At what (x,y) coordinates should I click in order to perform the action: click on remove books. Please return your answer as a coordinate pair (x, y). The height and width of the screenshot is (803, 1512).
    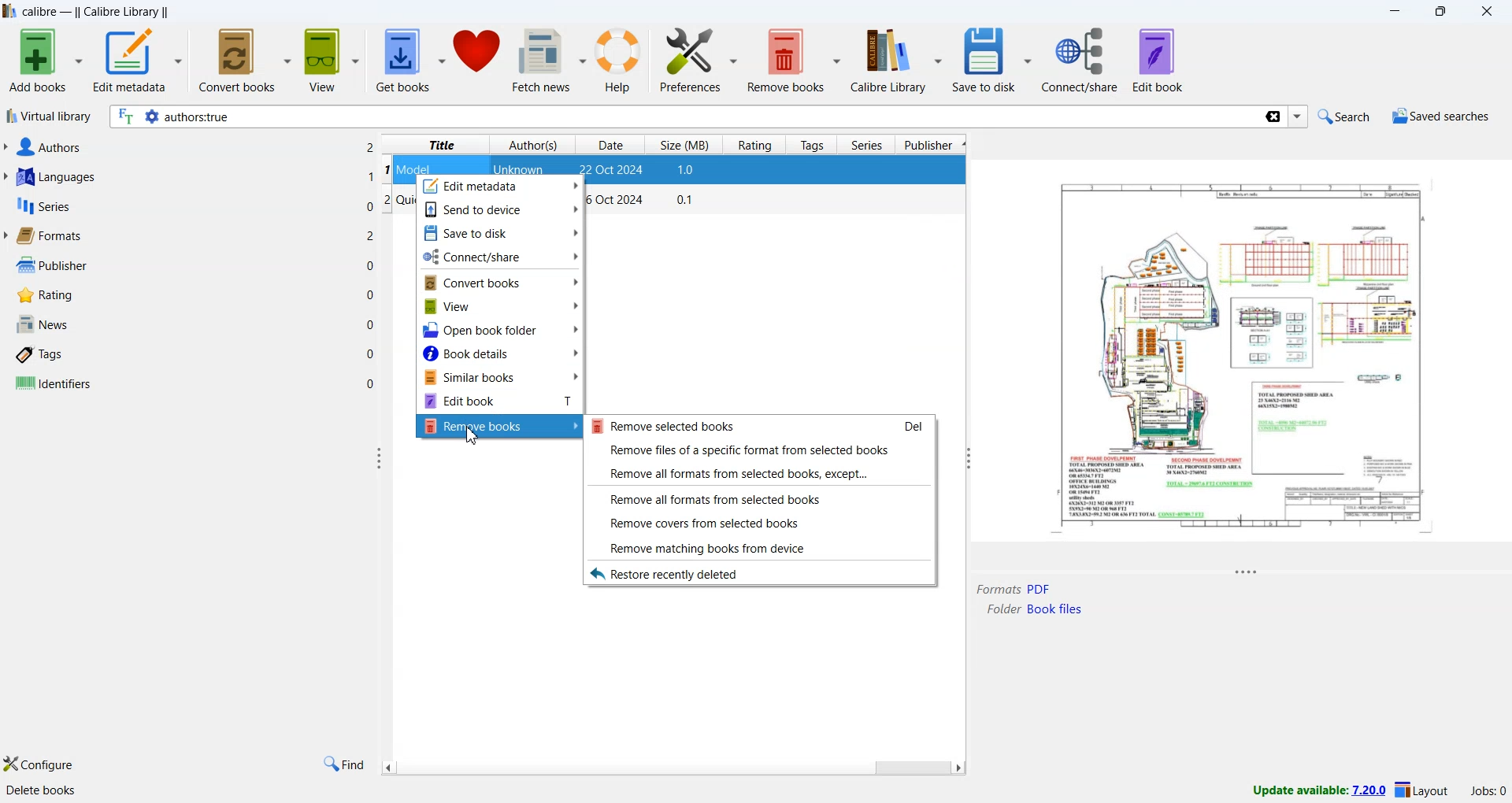
    Looking at the image, I should click on (795, 61).